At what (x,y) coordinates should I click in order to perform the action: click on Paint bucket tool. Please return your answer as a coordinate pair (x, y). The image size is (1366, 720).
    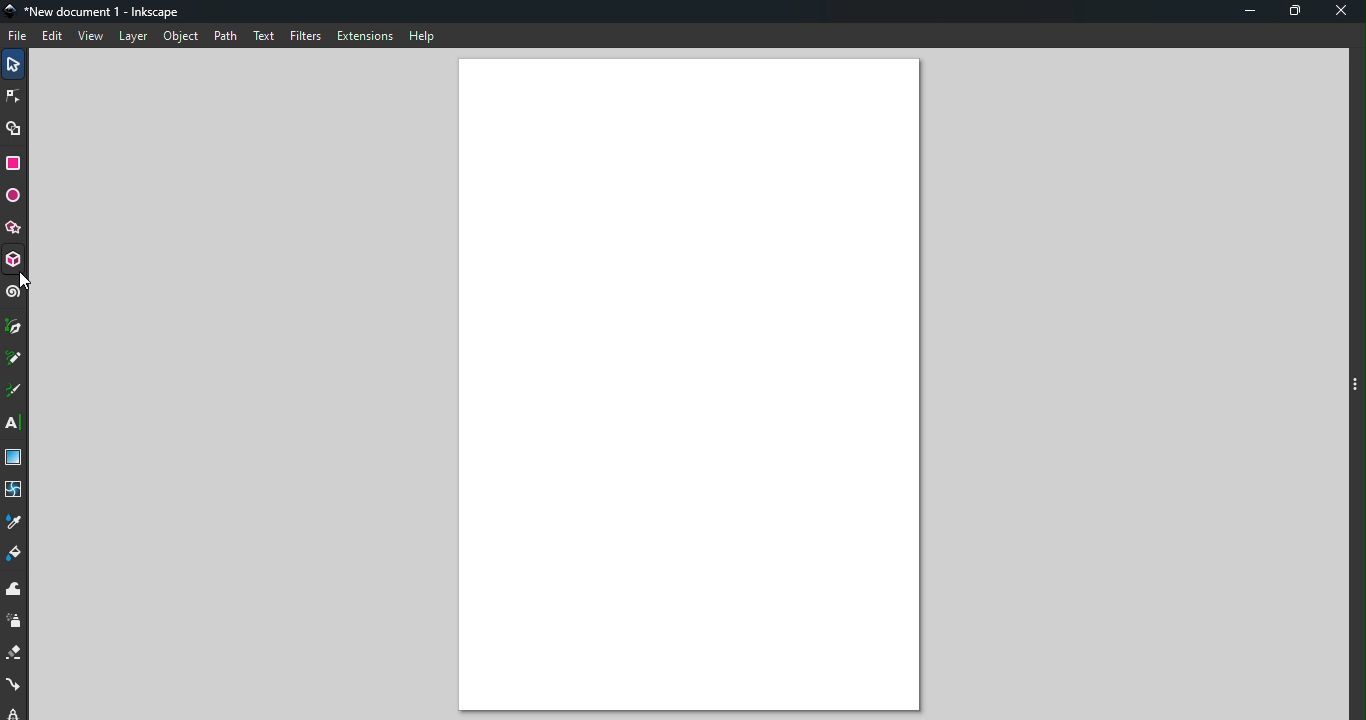
    Looking at the image, I should click on (13, 555).